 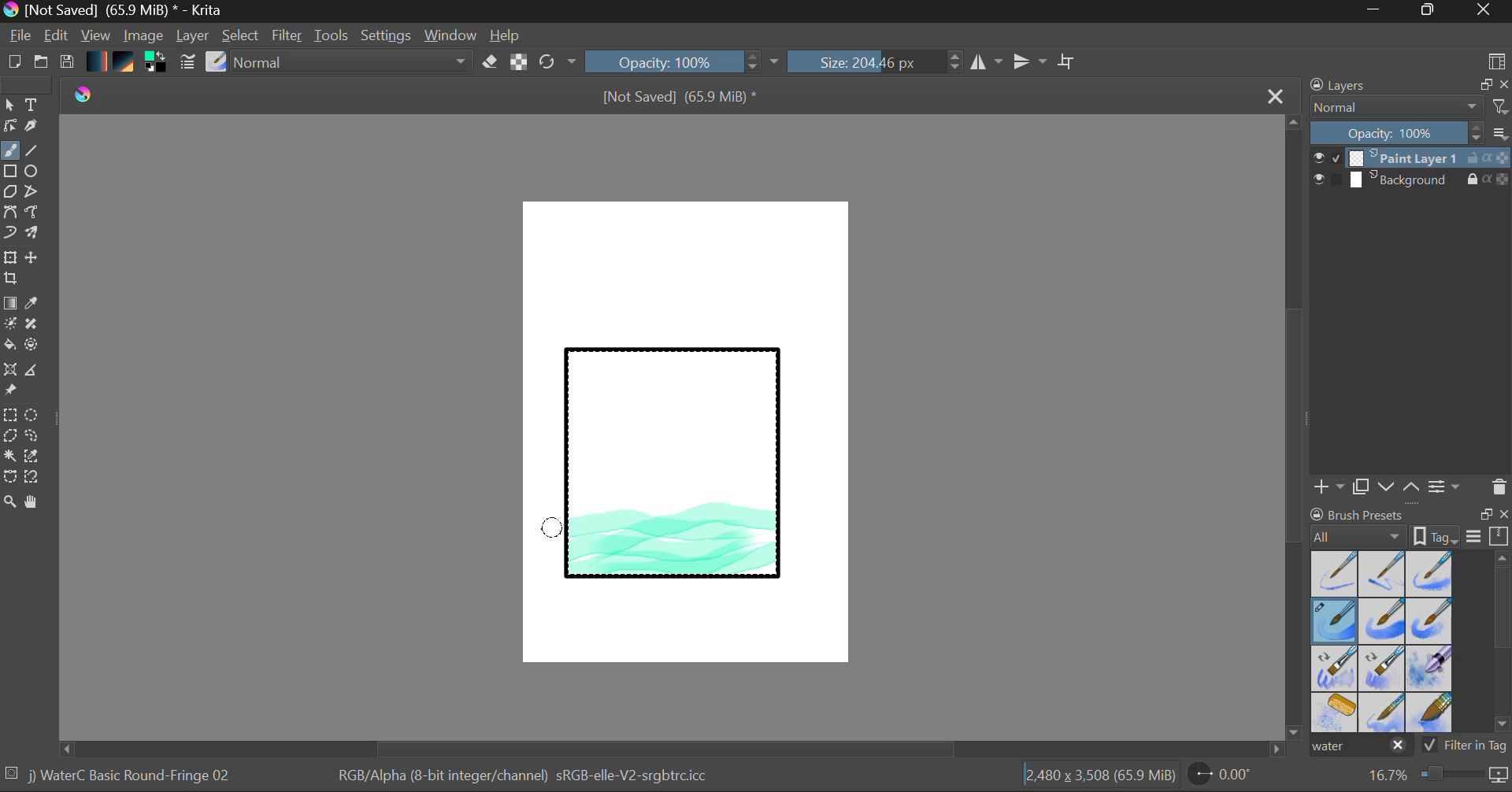 What do you see at coordinates (1033, 63) in the screenshot?
I see `Horizontal Mirror Flip` at bounding box center [1033, 63].